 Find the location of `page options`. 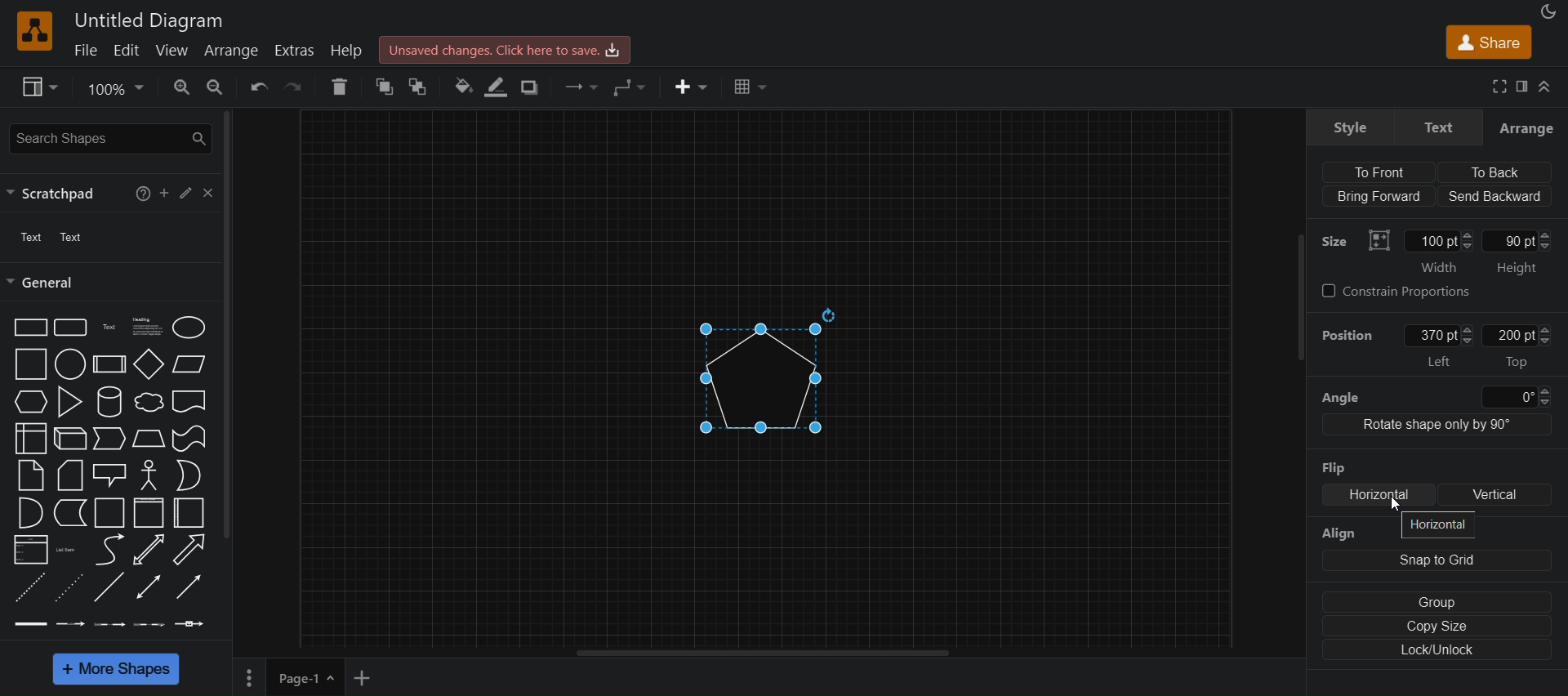

page options is located at coordinates (331, 677).